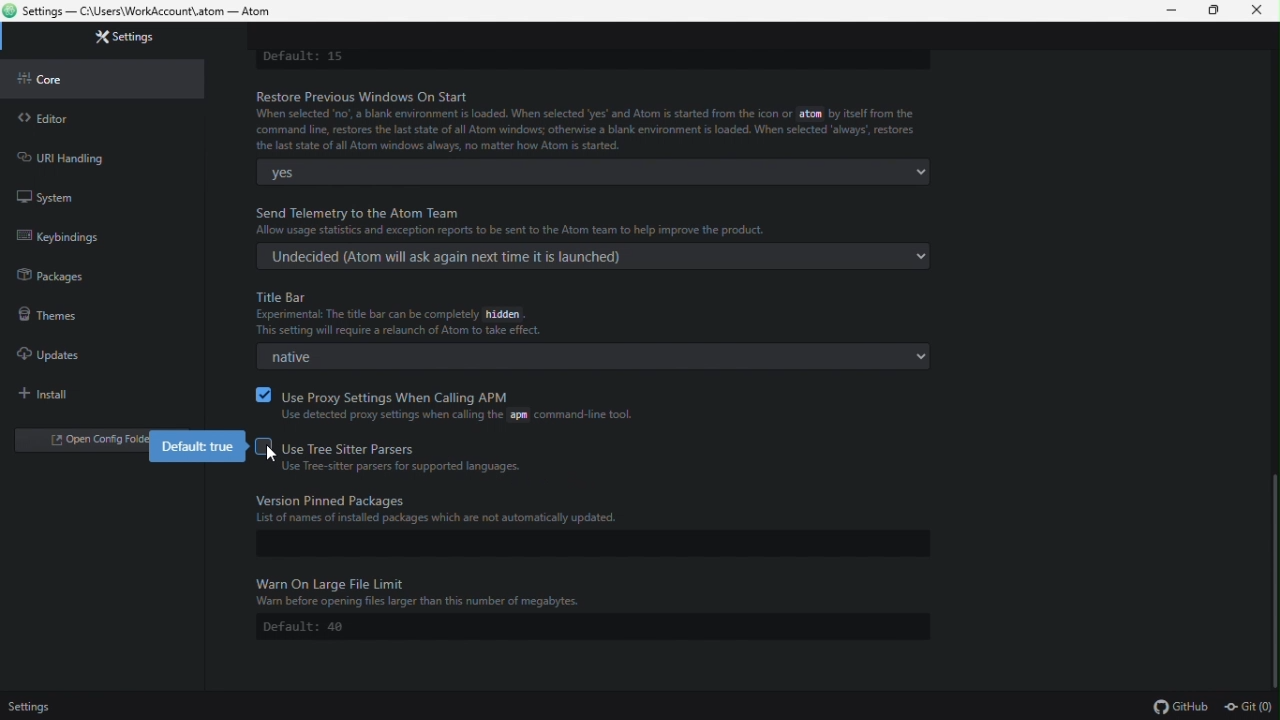 The height and width of the screenshot is (720, 1280). I want to click on close, so click(1262, 11).